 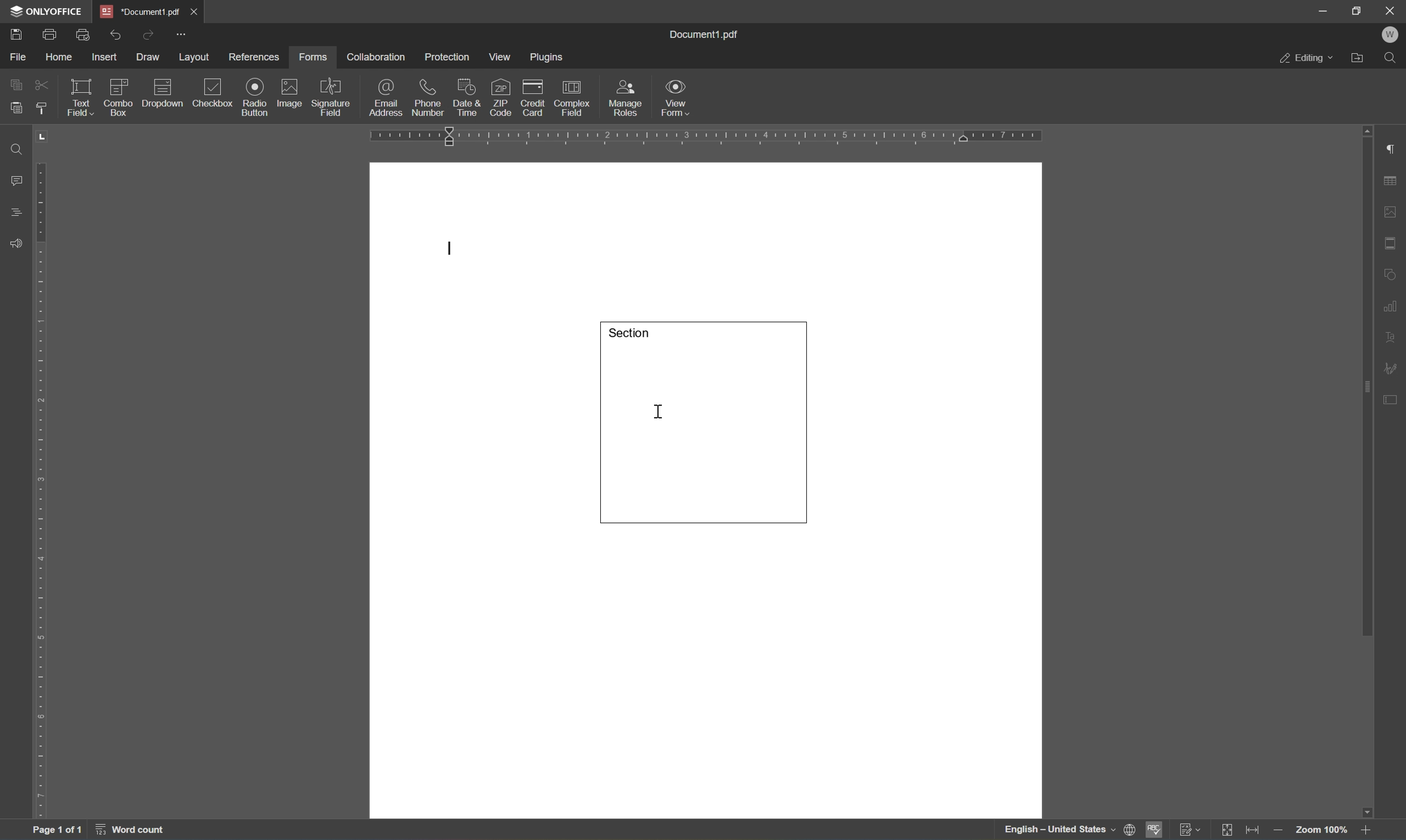 What do you see at coordinates (1360, 59) in the screenshot?
I see `Open file location` at bounding box center [1360, 59].